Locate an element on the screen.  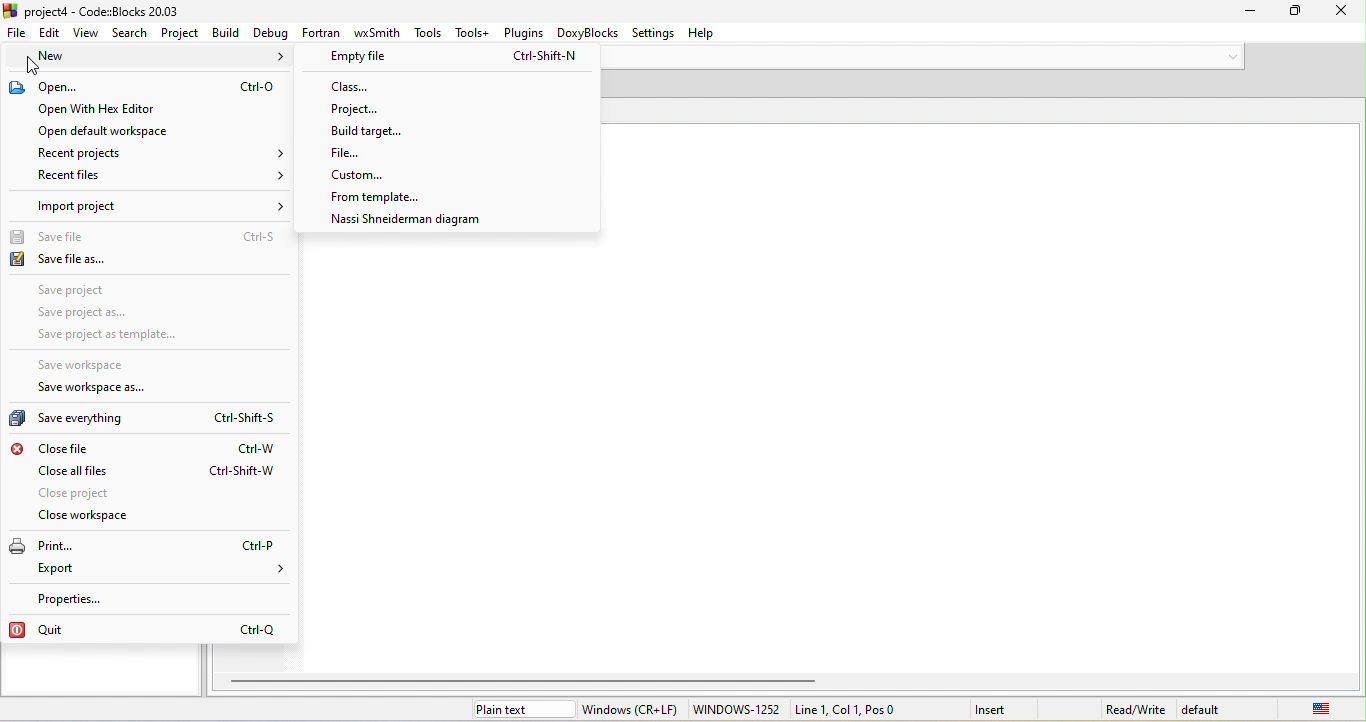
properties is located at coordinates (82, 600).